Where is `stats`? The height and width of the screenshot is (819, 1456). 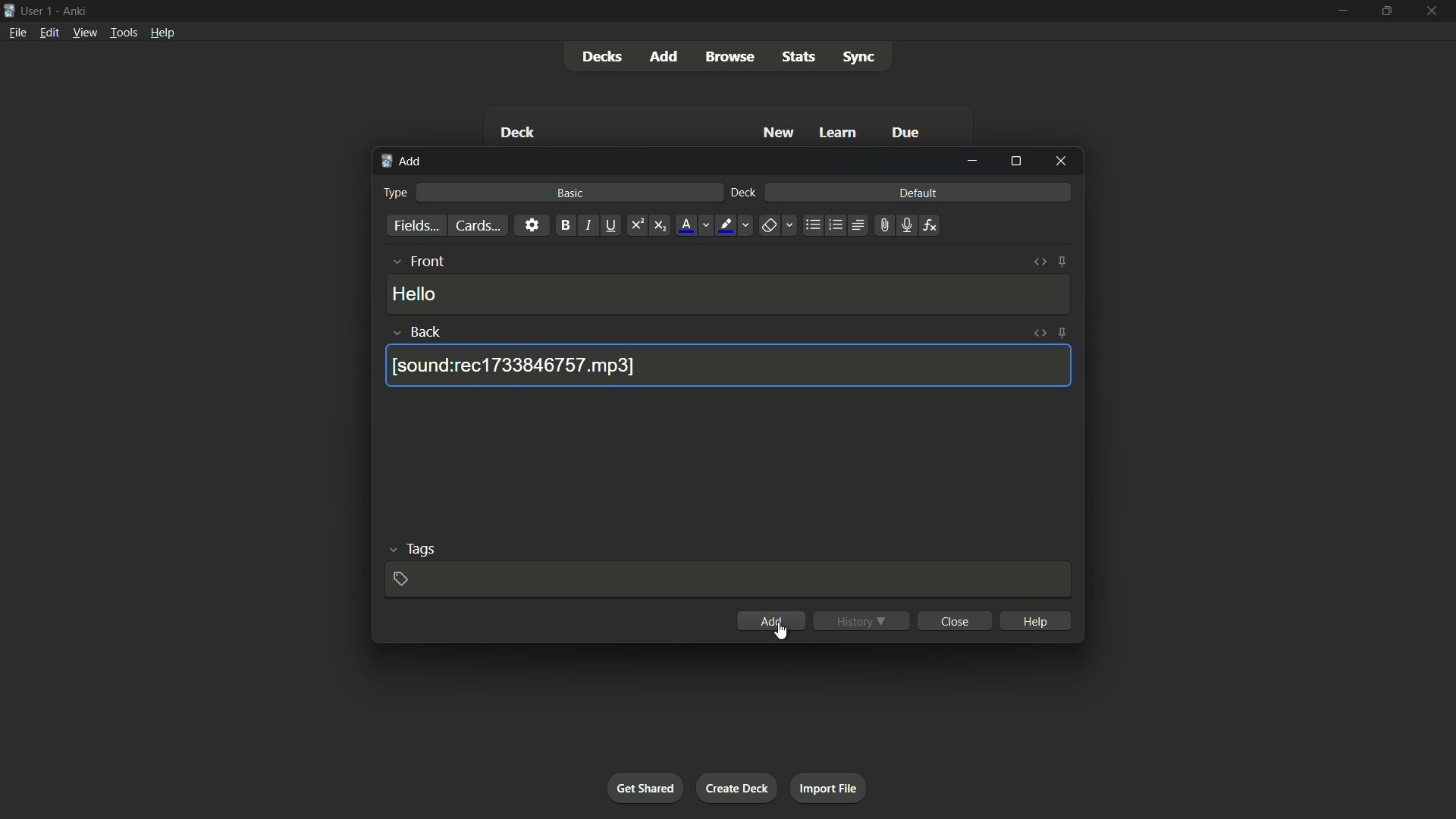
stats is located at coordinates (798, 56).